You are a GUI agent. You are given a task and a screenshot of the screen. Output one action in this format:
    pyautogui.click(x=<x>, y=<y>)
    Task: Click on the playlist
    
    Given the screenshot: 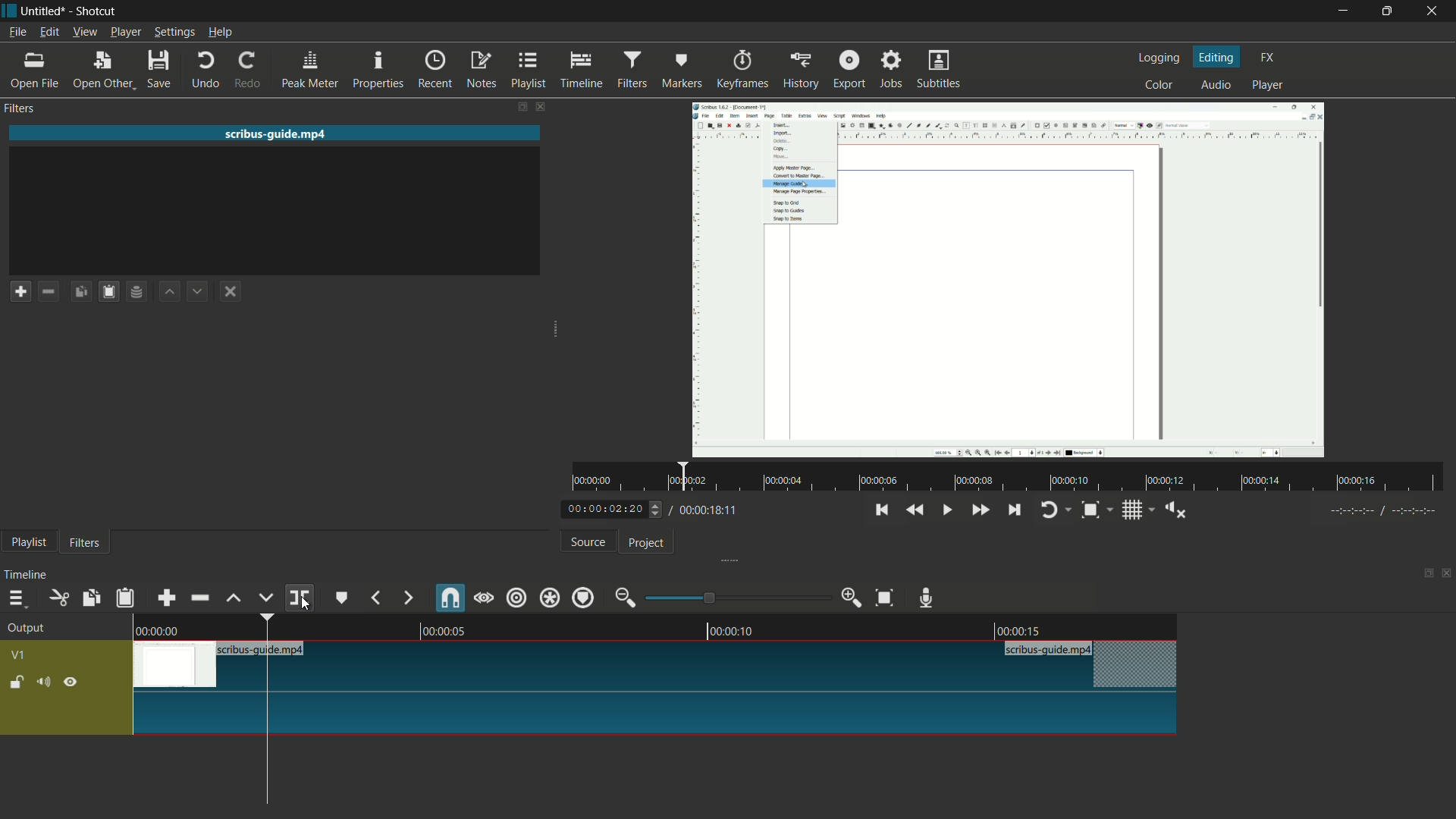 What is the action you would take?
    pyautogui.click(x=531, y=69)
    